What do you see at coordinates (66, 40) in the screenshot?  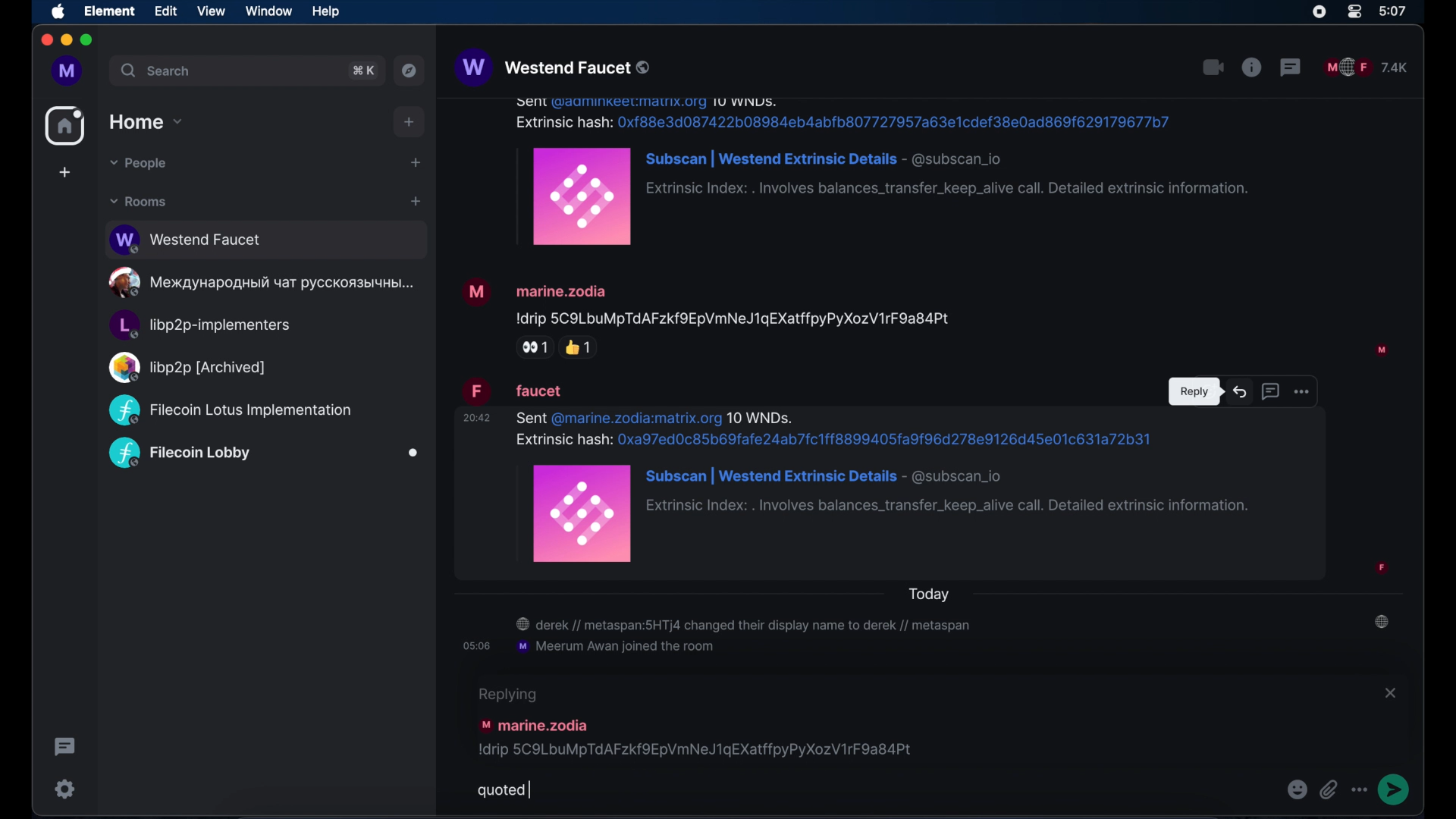 I see `minimize` at bounding box center [66, 40].